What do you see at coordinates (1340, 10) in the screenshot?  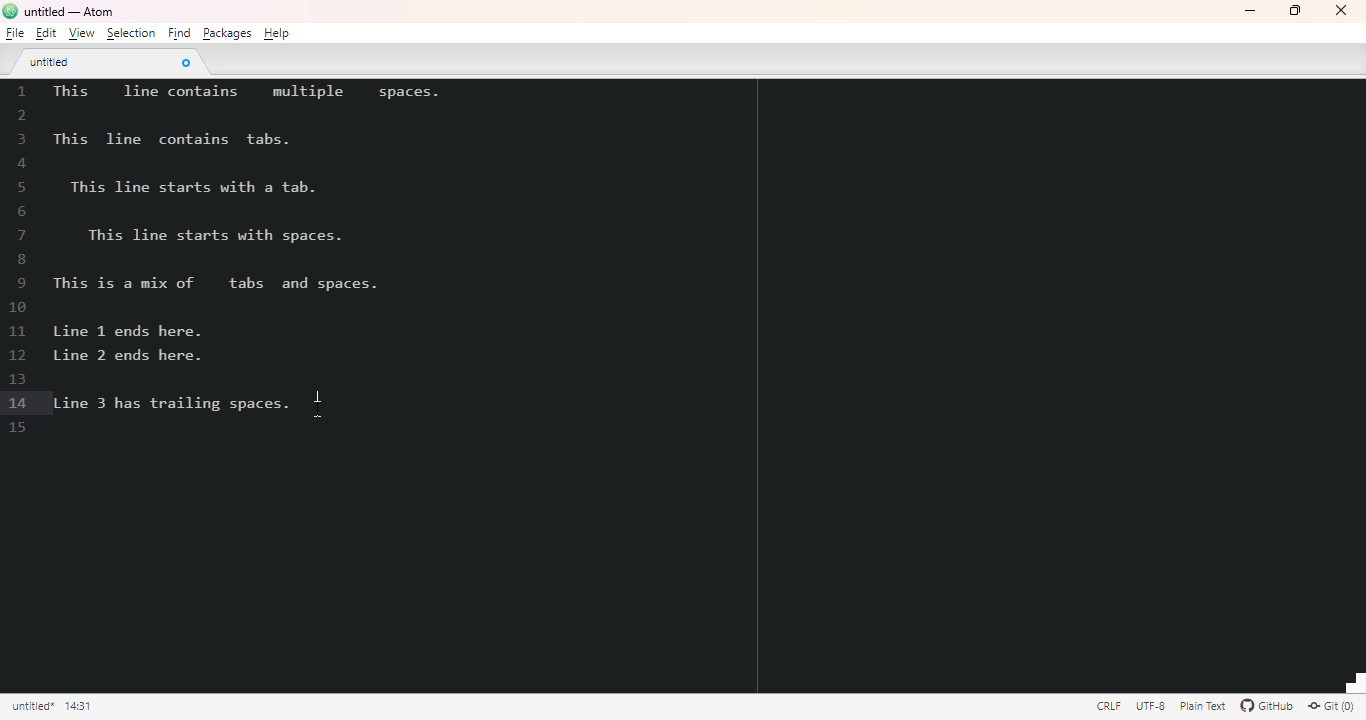 I see `close` at bounding box center [1340, 10].